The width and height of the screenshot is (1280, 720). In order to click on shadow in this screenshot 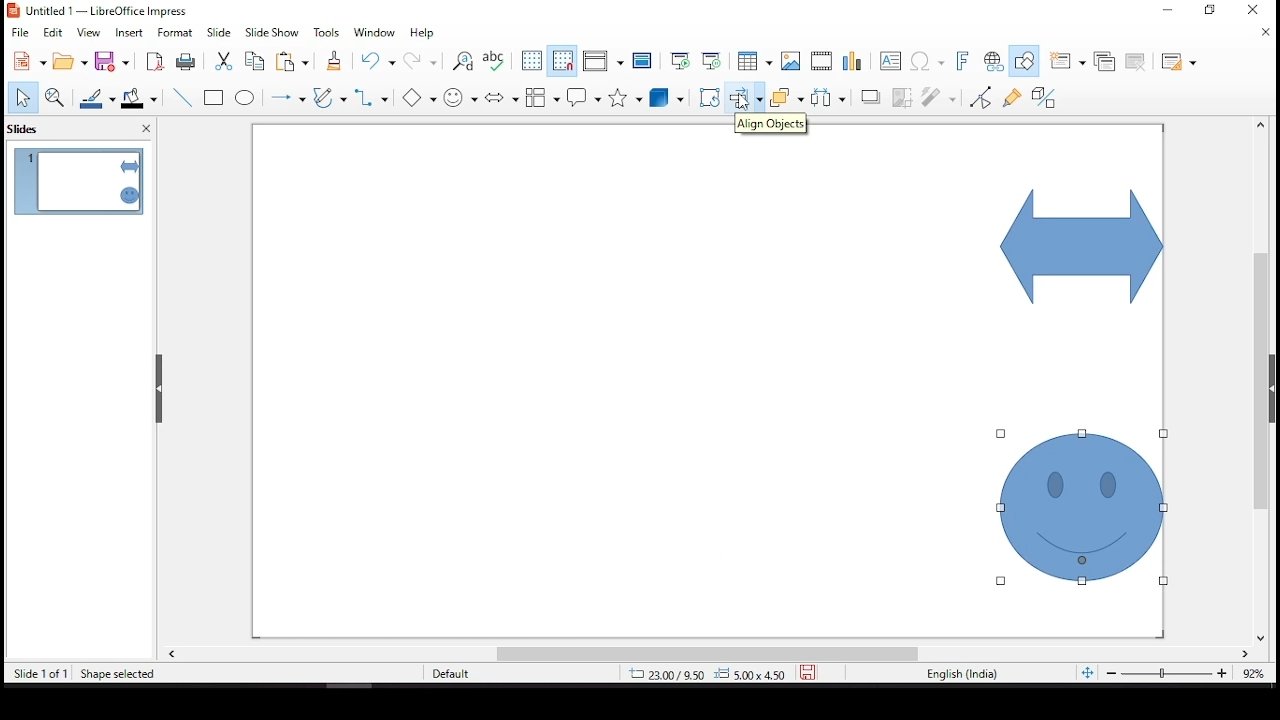, I will do `click(867, 98)`.